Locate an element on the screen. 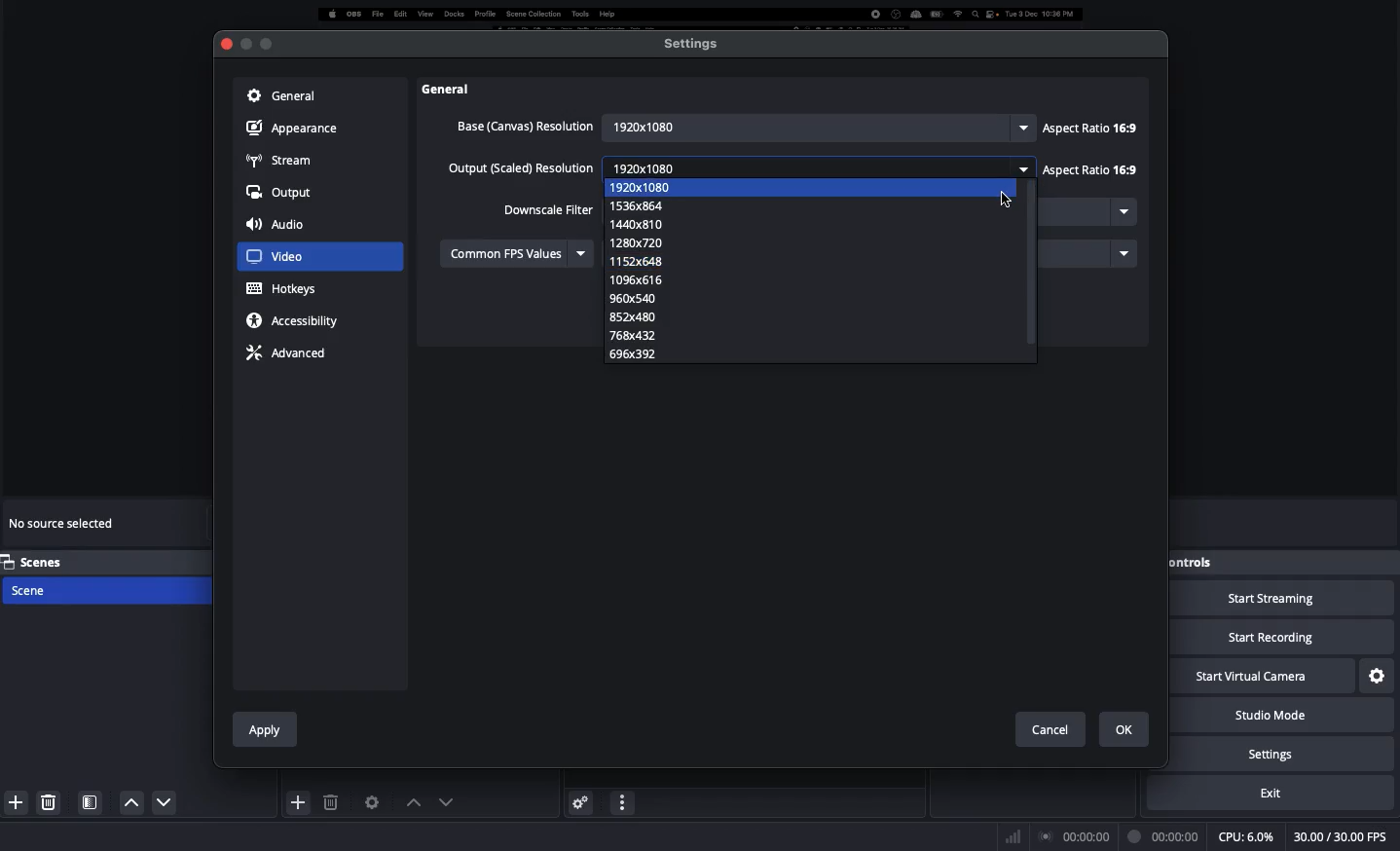 This screenshot has height=851, width=1400. Scen is located at coordinates (104, 589).